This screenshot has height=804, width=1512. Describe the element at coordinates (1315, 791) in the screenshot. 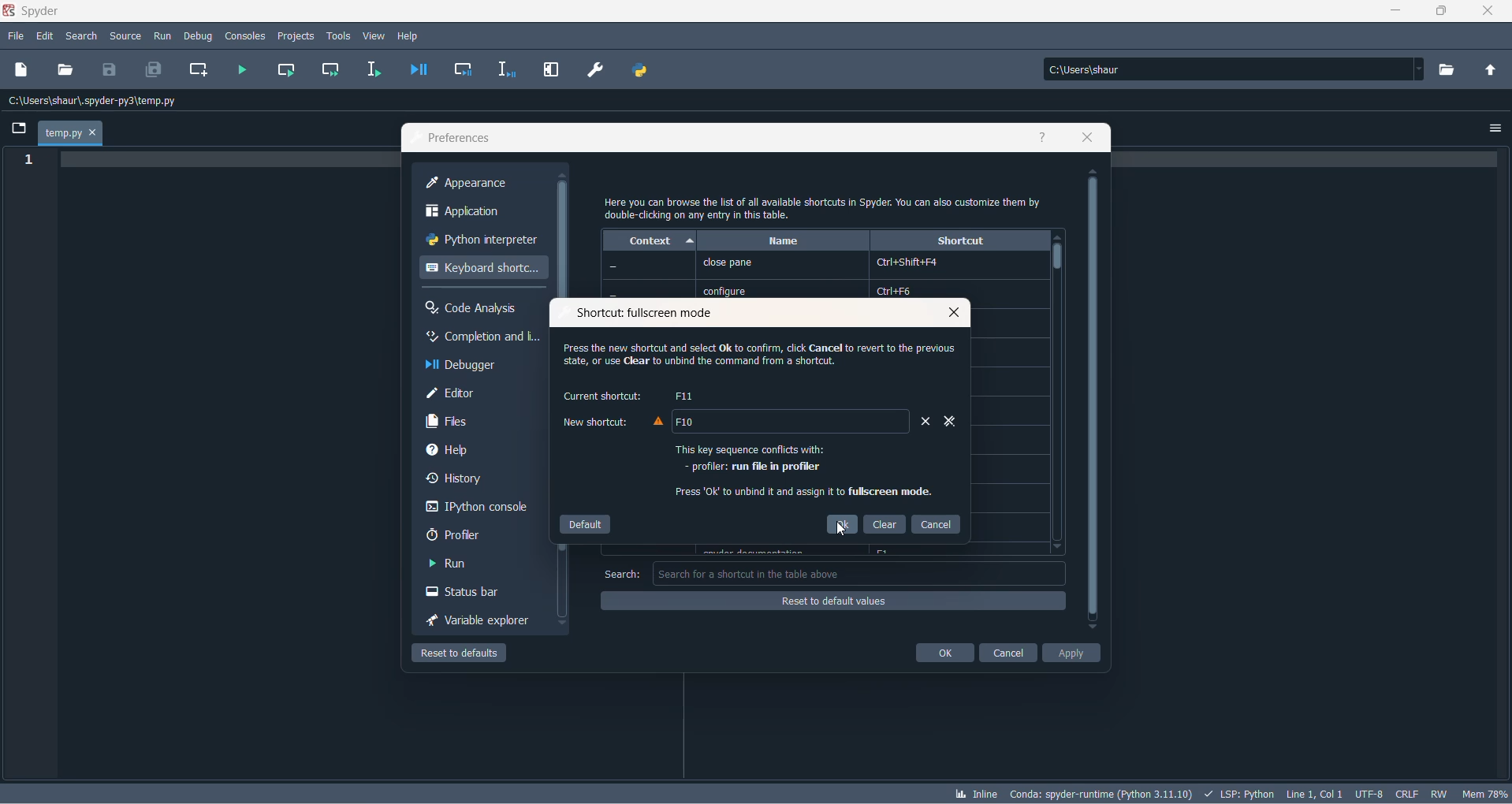

I see `line and column number` at that location.